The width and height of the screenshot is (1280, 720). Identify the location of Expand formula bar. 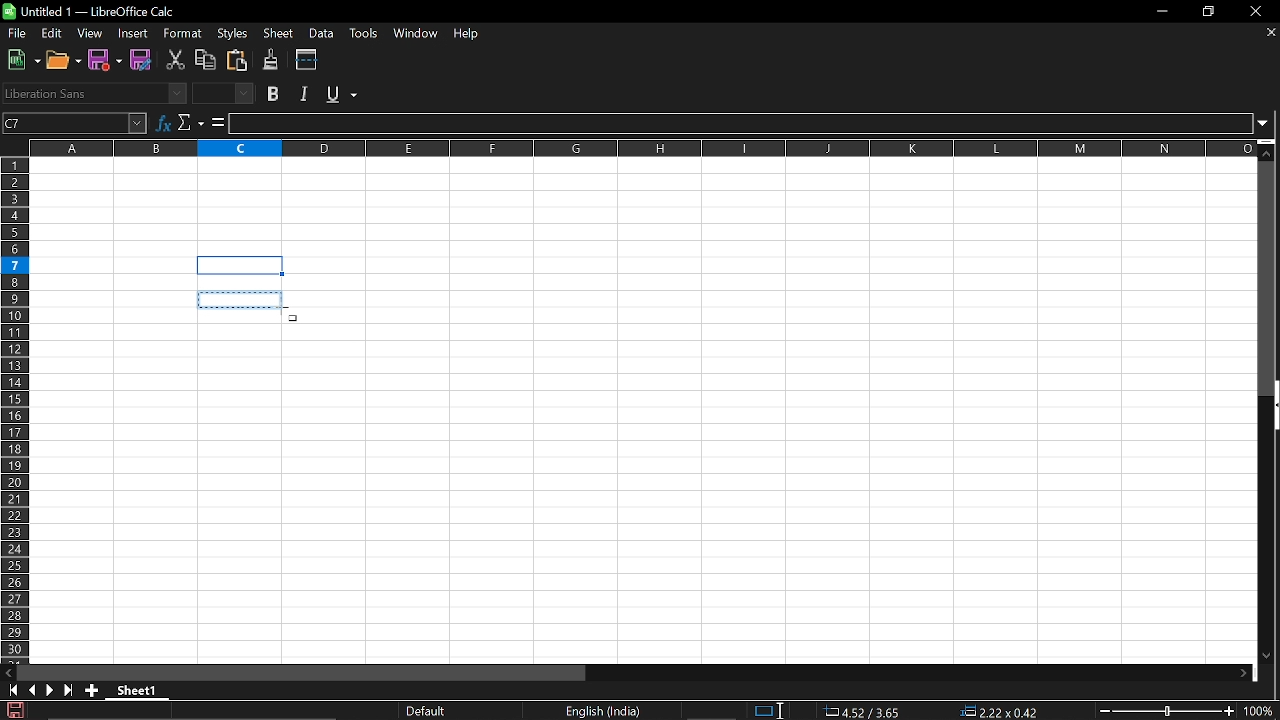
(1268, 124).